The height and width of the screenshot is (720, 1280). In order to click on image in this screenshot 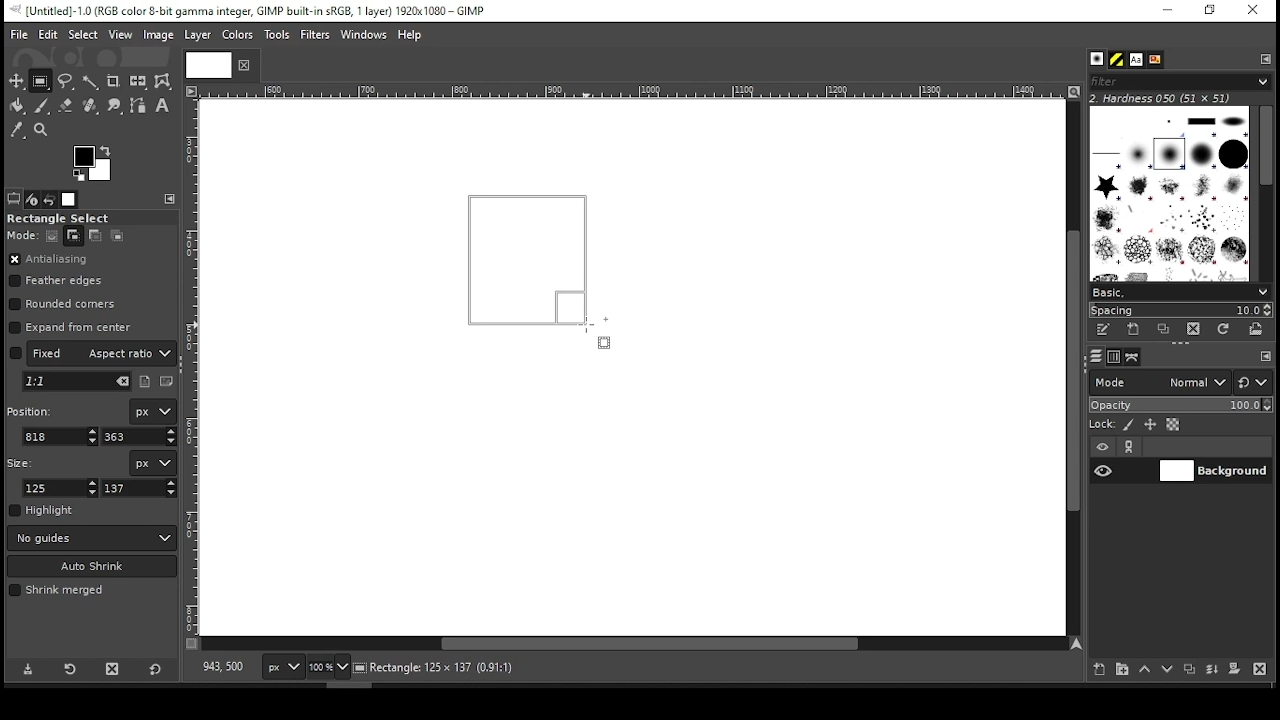, I will do `click(157, 35)`.